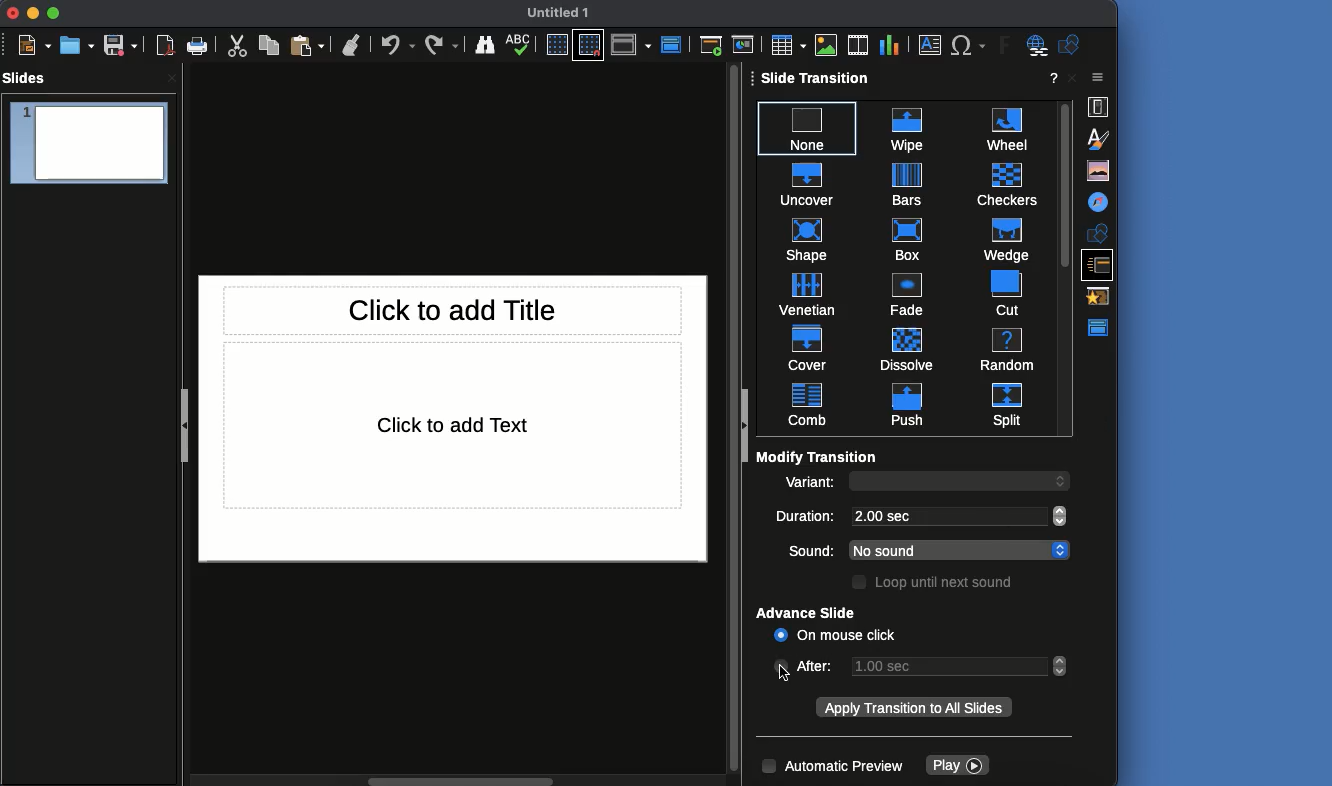 Image resolution: width=1332 pixels, height=786 pixels. What do you see at coordinates (1099, 105) in the screenshot?
I see `Properties` at bounding box center [1099, 105].